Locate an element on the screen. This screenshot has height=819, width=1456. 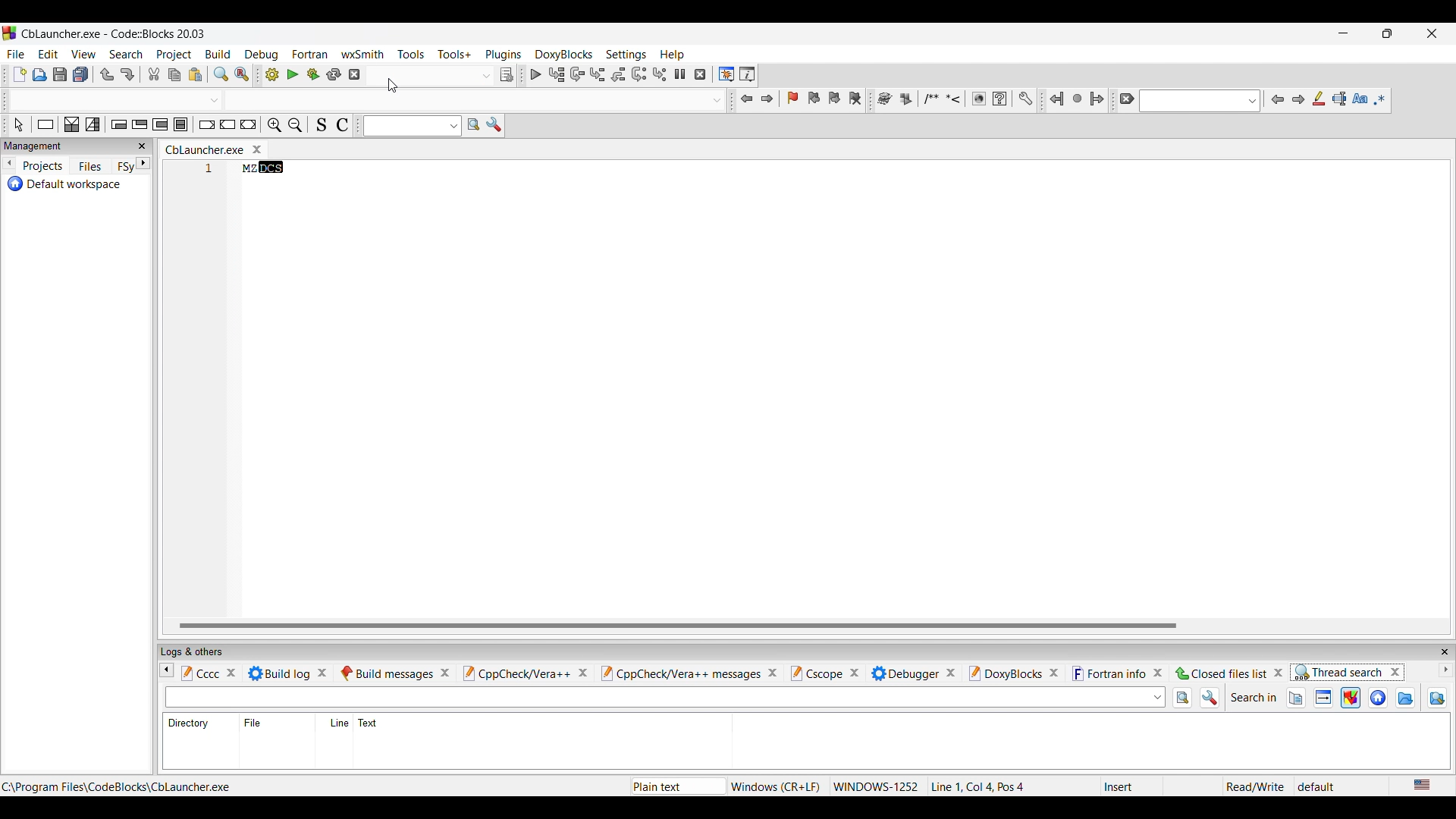
WINDOWS is located at coordinates (875, 786).